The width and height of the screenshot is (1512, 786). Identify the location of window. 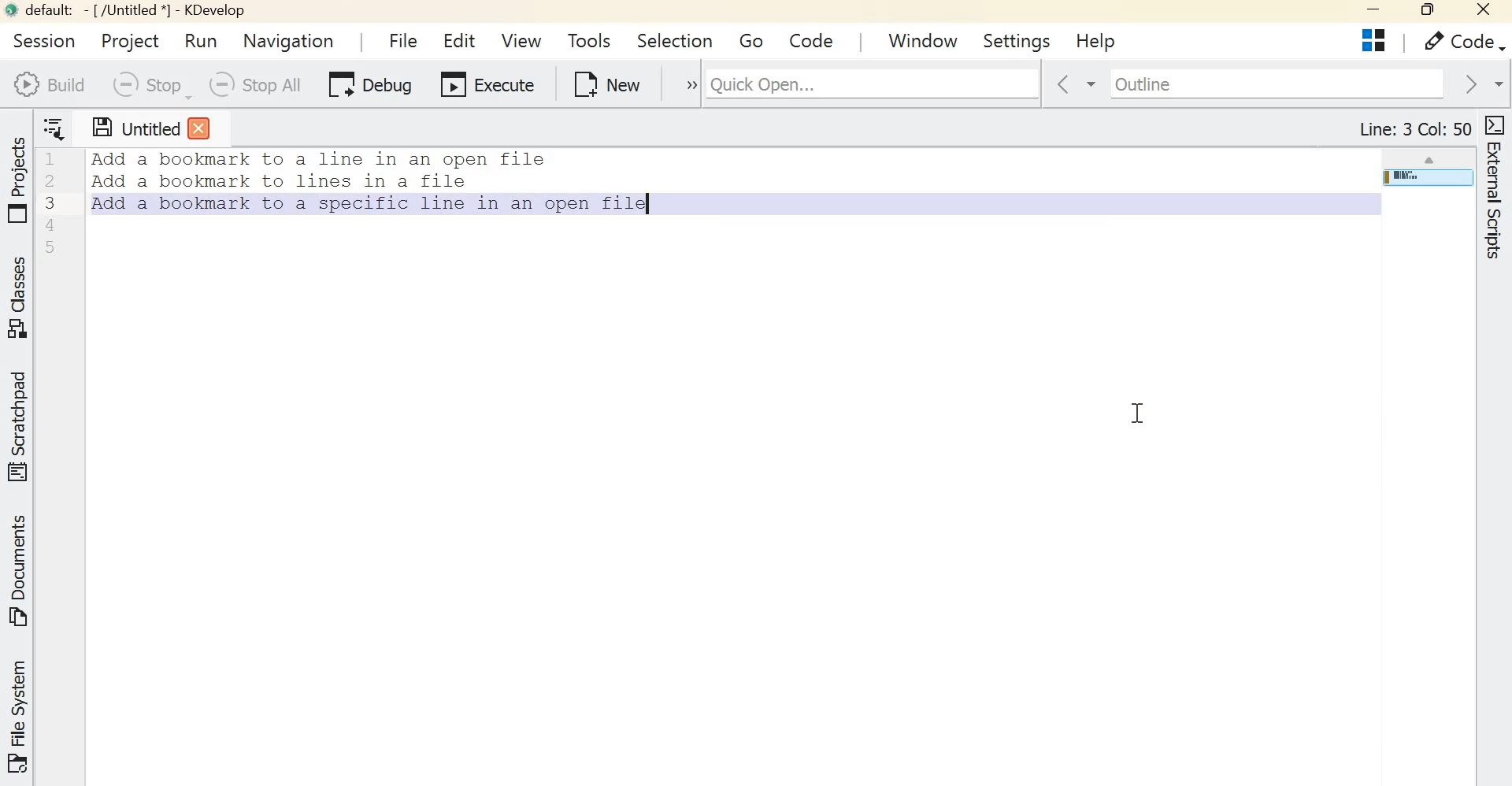
(923, 37).